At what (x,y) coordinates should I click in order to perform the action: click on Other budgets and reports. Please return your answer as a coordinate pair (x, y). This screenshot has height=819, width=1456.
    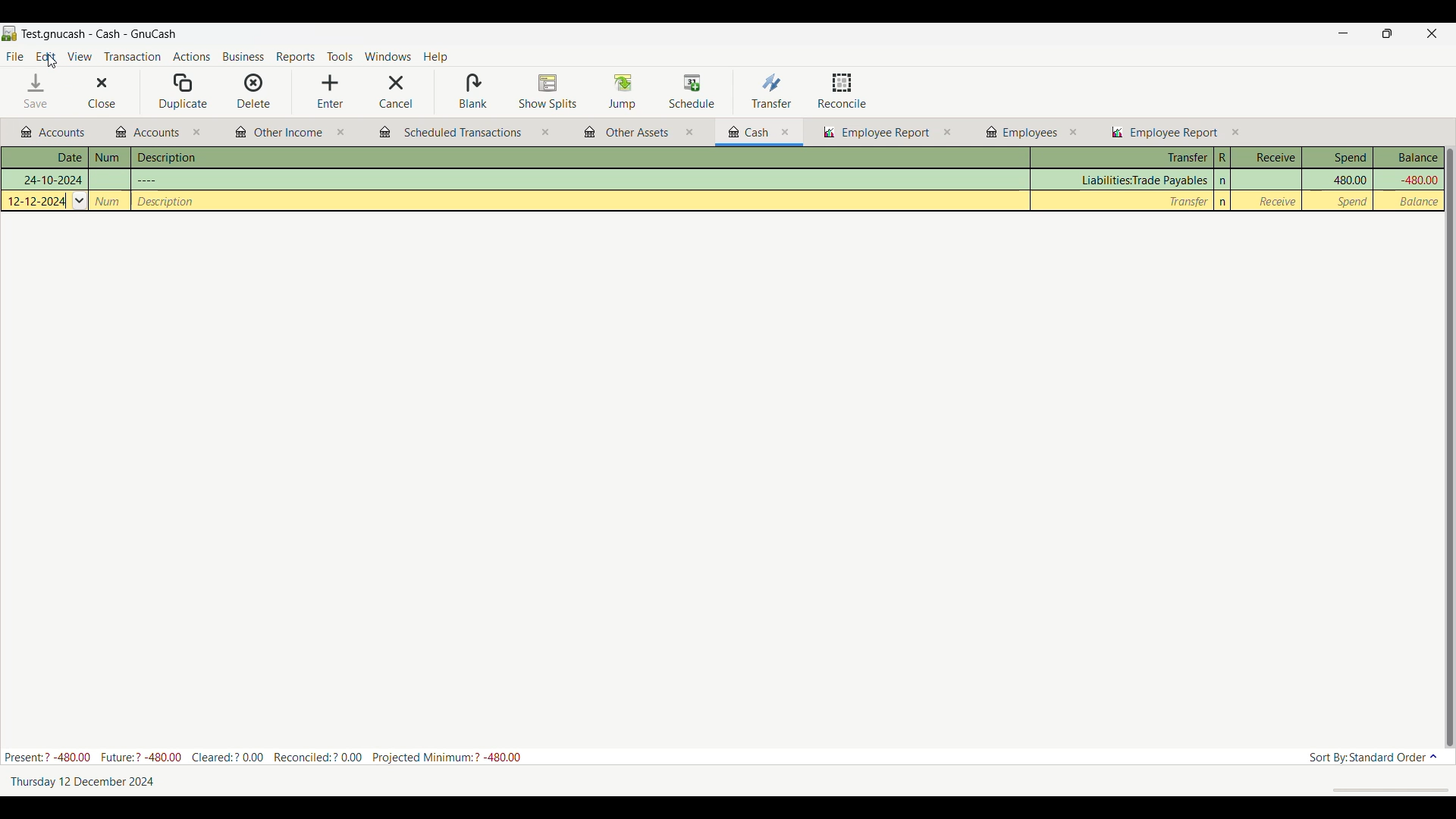
    Looking at the image, I should click on (628, 133).